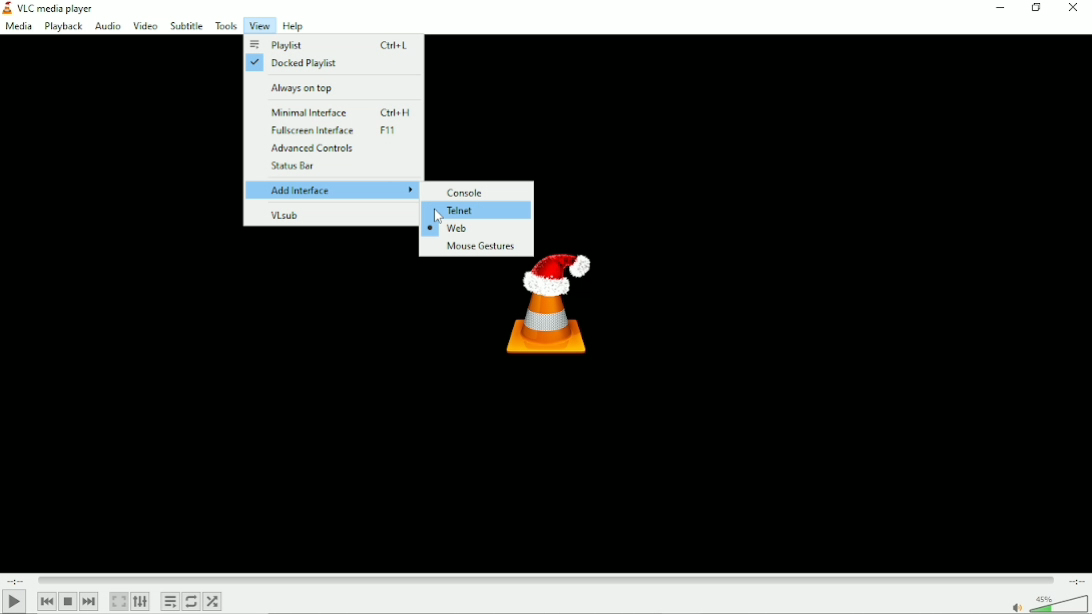 Image resolution: width=1092 pixels, height=614 pixels. I want to click on Video, so click(145, 25).